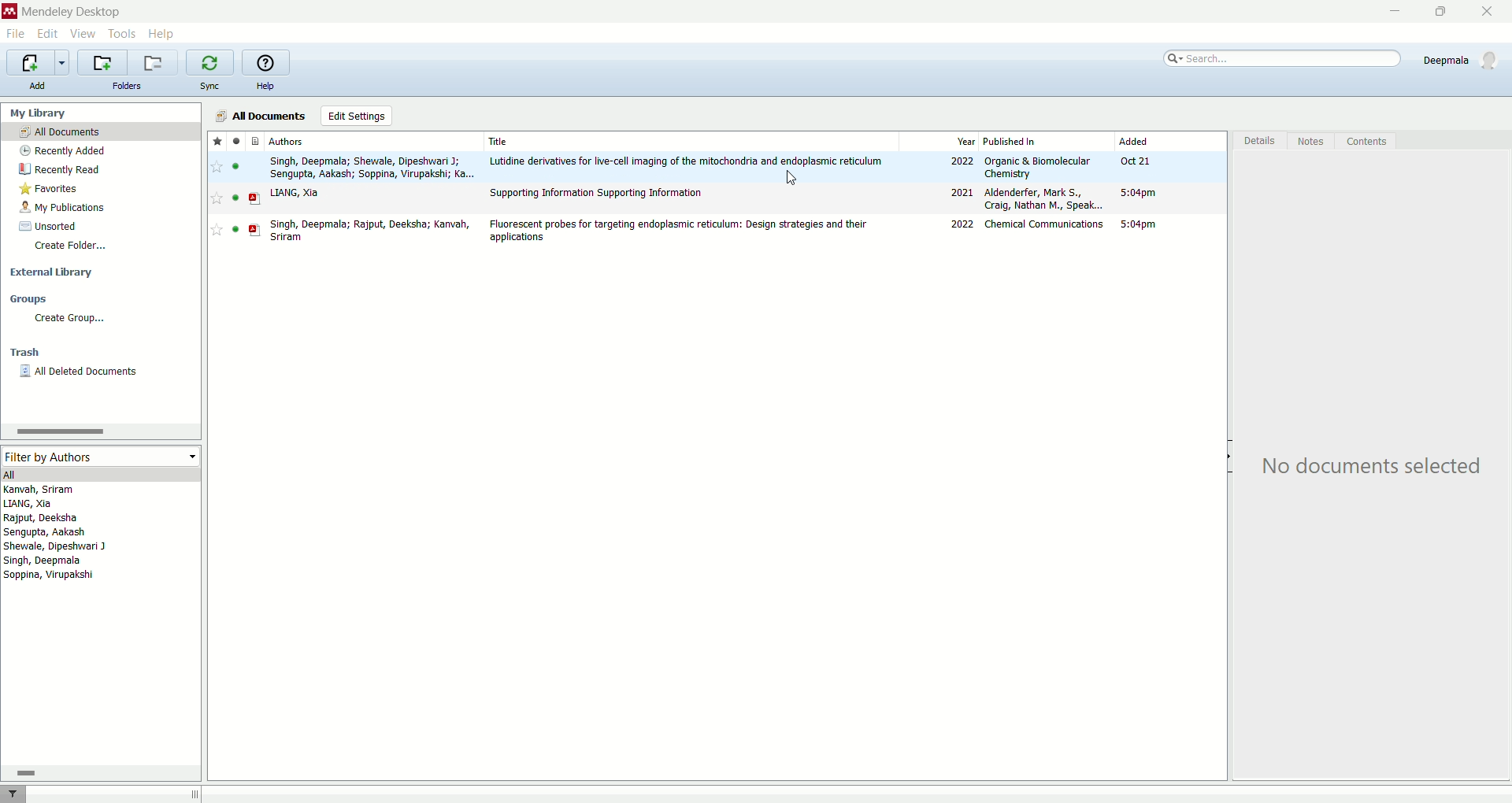 Image resolution: width=1512 pixels, height=803 pixels. Describe the element at coordinates (792, 179) in the screenshot. I see `cursor` at that location.